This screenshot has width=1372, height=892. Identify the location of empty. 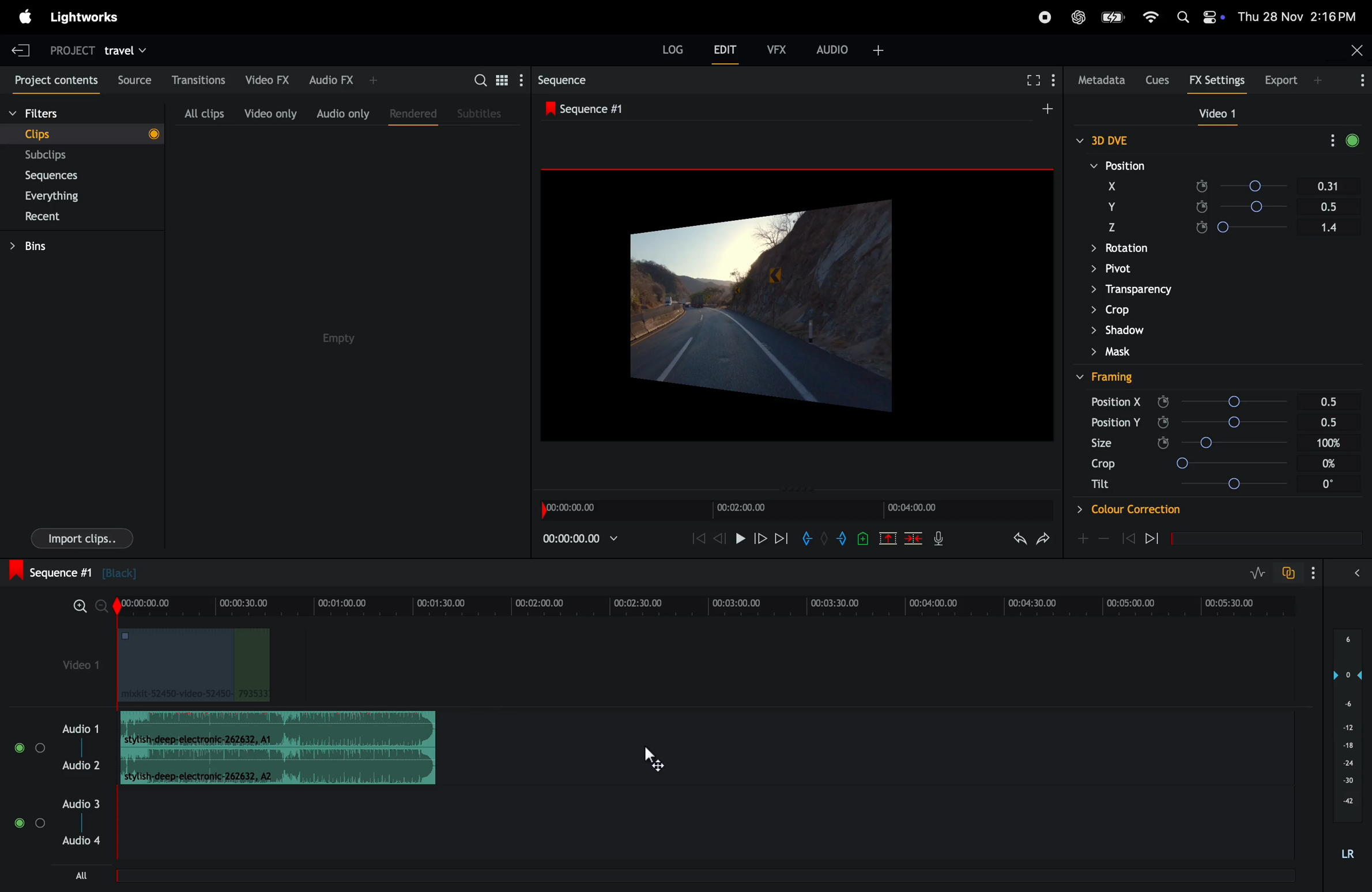
(342, 338).